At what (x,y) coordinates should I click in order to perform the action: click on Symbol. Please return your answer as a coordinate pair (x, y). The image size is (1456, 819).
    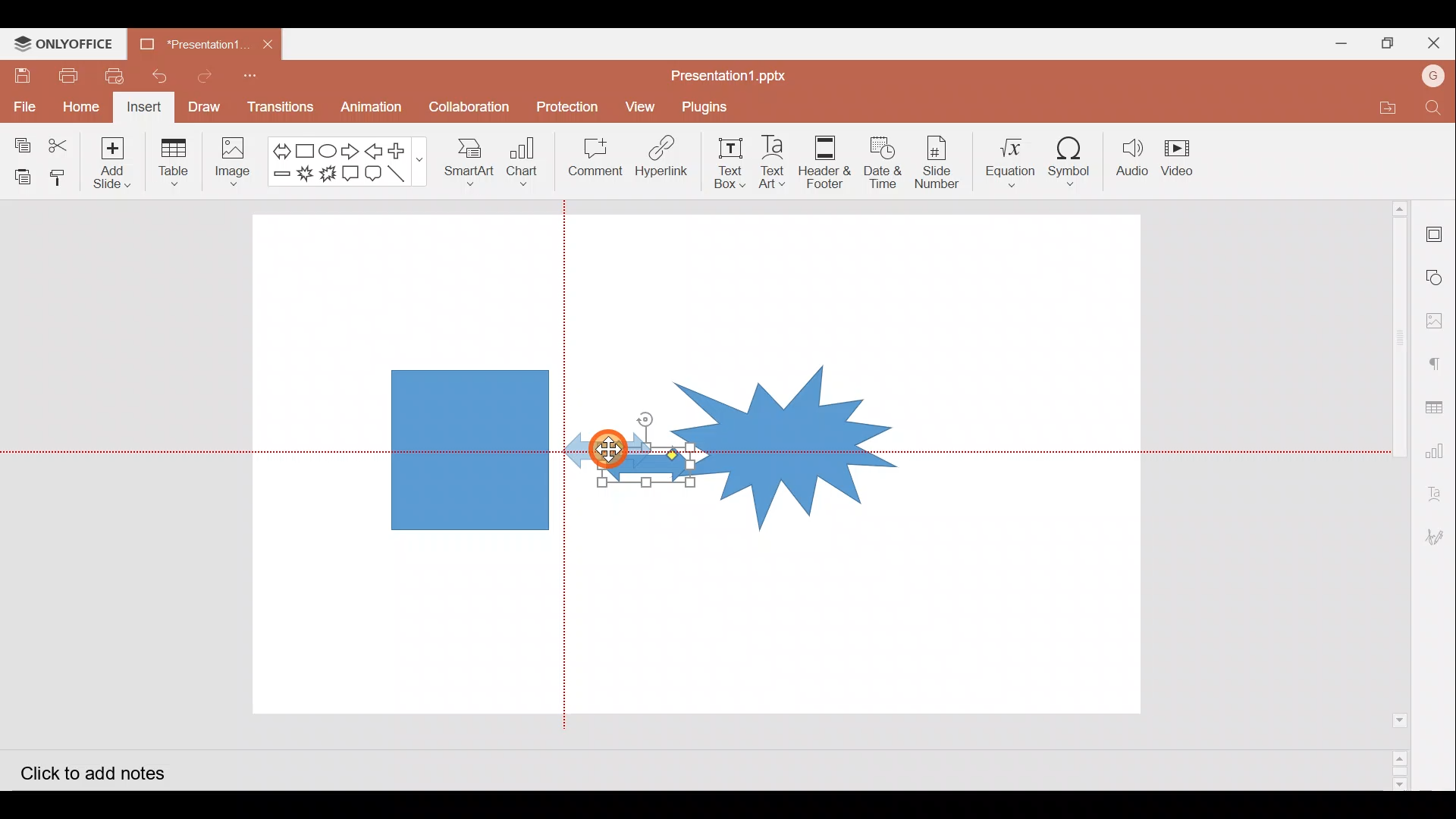
    Looking at the image, I should click on (1075, 161).